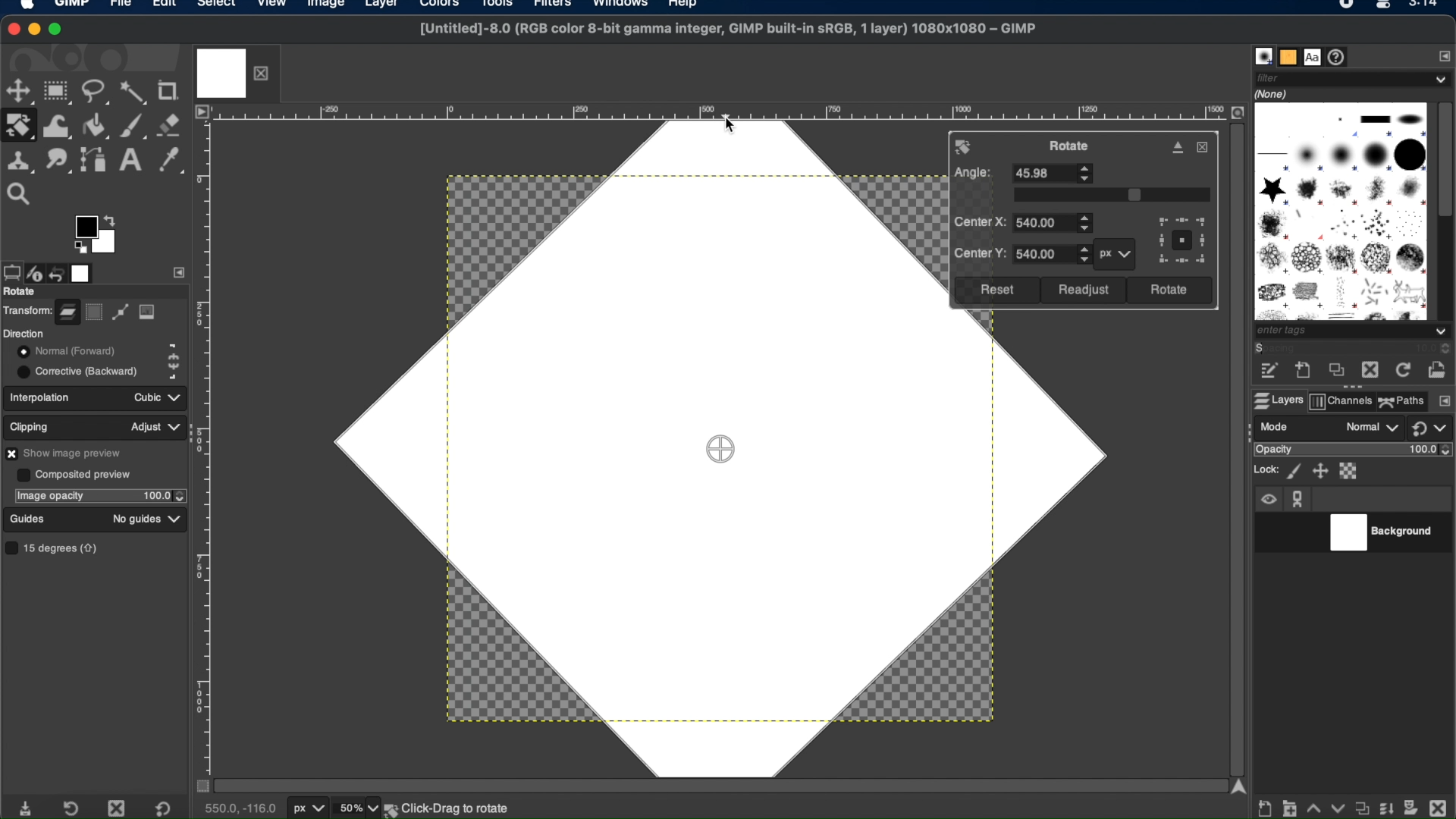  I want to click on none, so click(1274, 93).